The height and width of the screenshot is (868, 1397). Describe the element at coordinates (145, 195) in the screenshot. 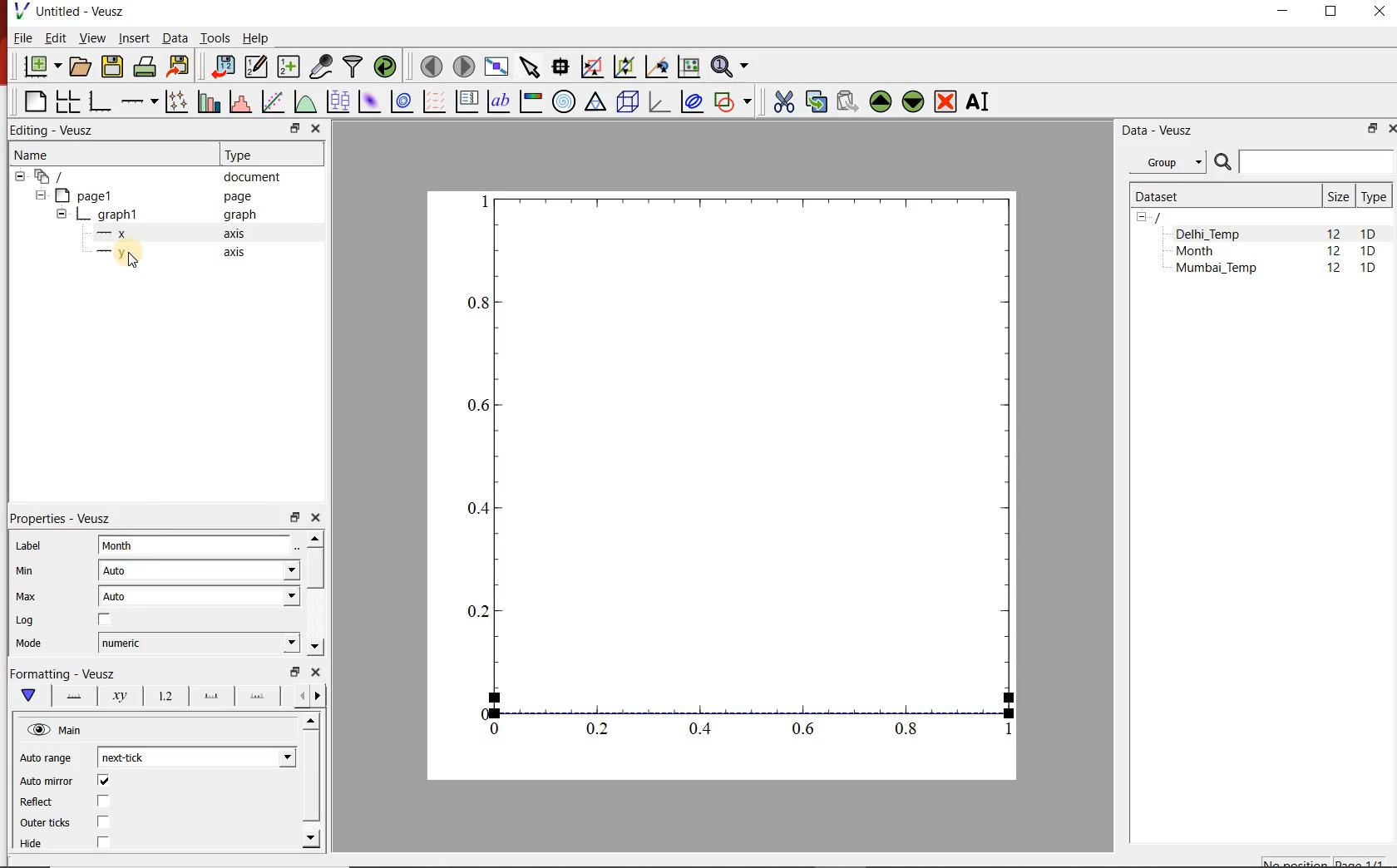

I see `Page1` at that location.